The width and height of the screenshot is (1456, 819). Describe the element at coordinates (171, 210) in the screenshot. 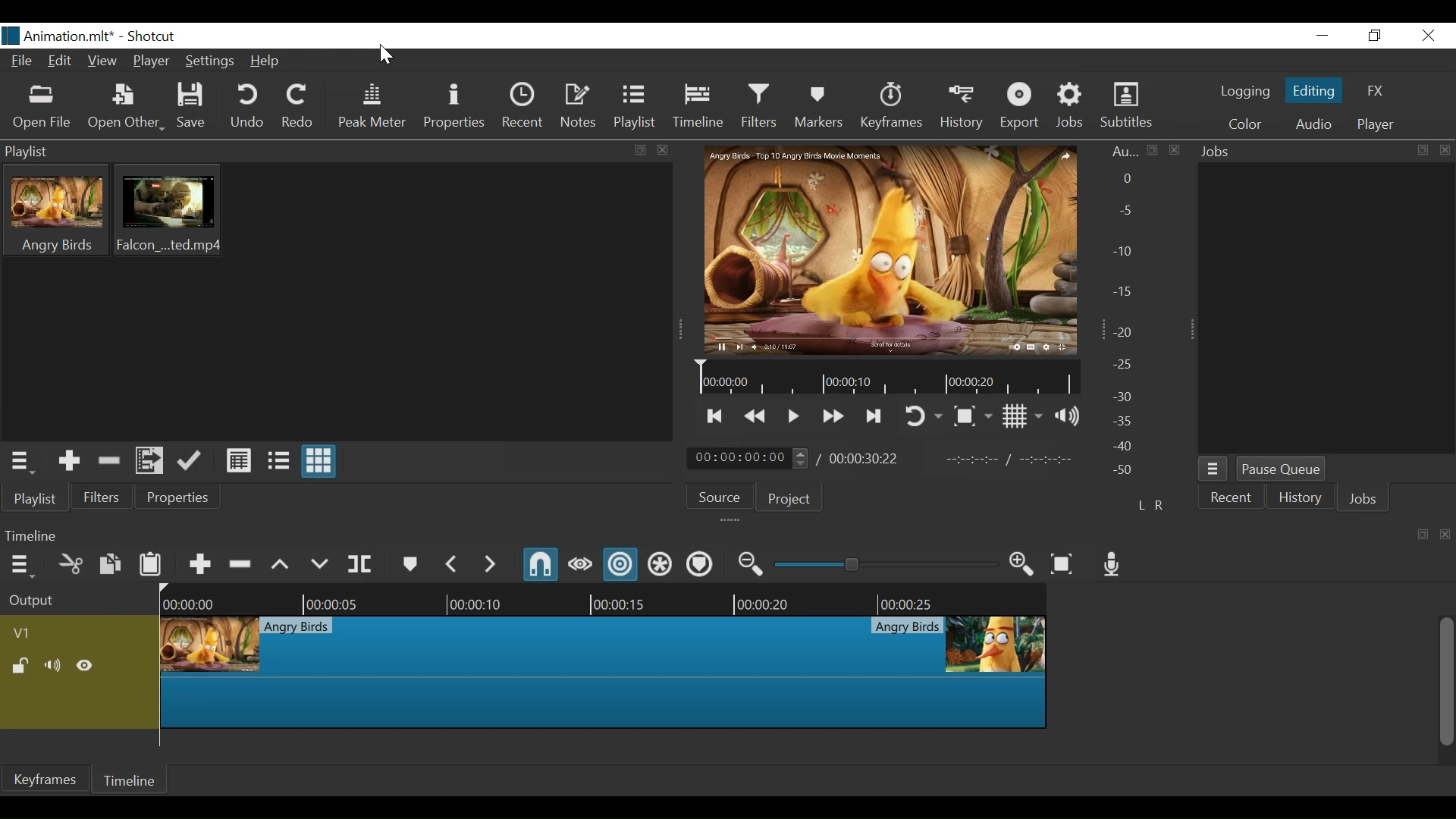

I see `Clip` at that location.